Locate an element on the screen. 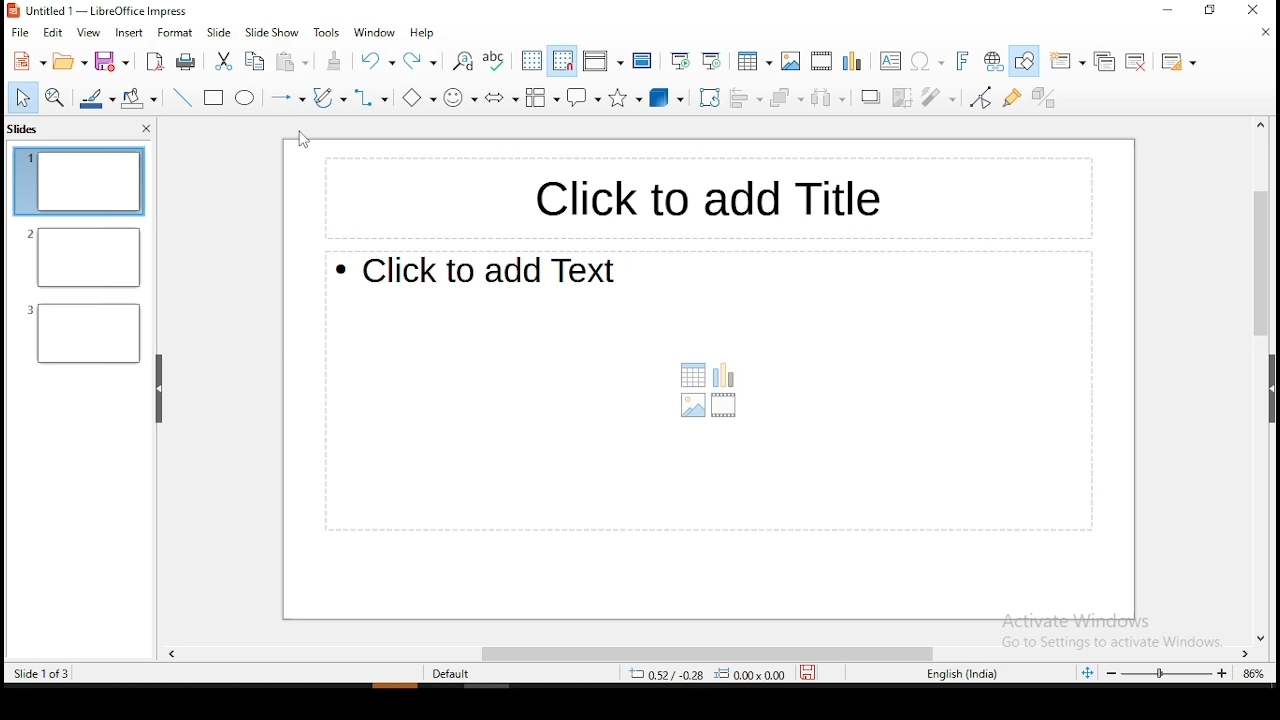 This screenshot has width=1280, height=720. slide 1 (current) is located at coordinates (80, 181).